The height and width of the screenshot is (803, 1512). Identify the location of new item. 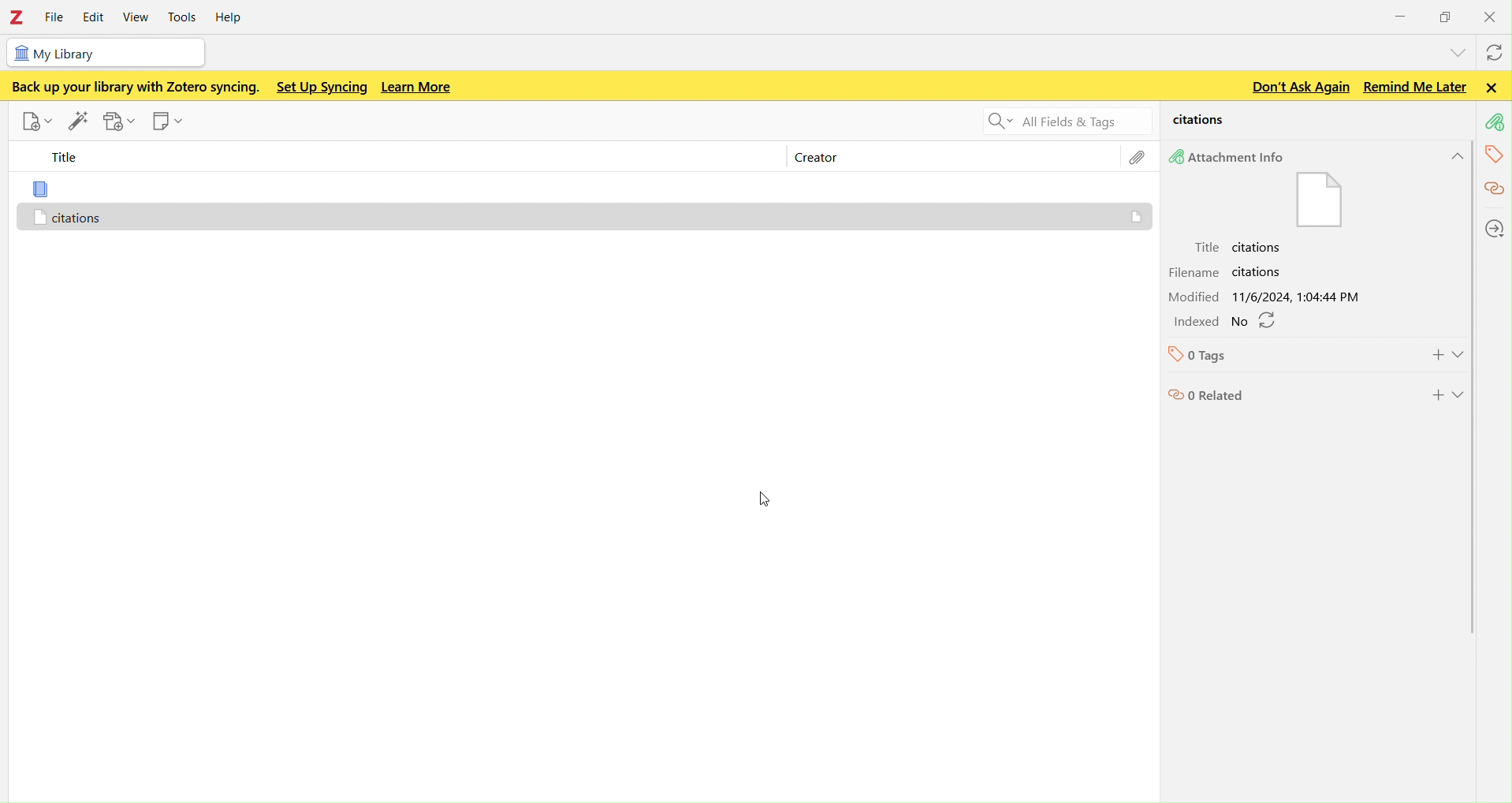
(33, 120).